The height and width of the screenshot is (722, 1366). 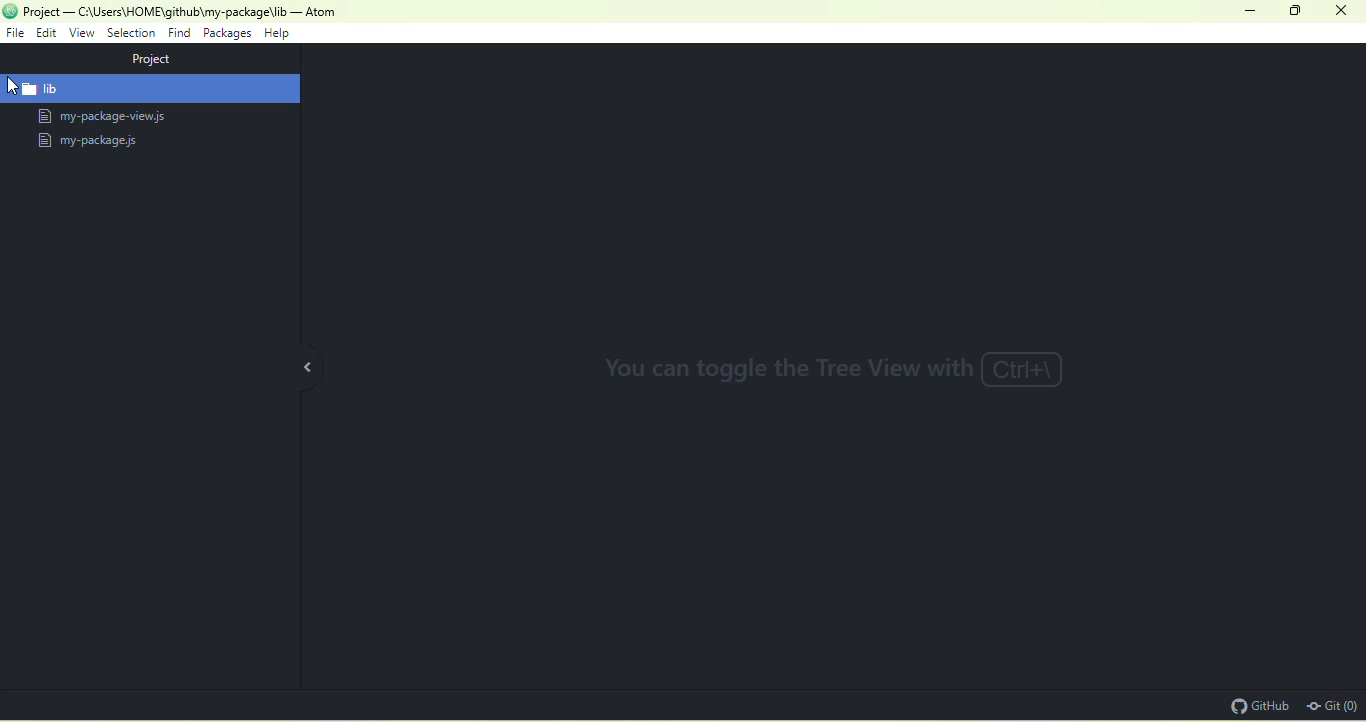 What do you see at coordinates (1342, 10) in the screenshot?
I see `close` at bounding box center [1342, 10].